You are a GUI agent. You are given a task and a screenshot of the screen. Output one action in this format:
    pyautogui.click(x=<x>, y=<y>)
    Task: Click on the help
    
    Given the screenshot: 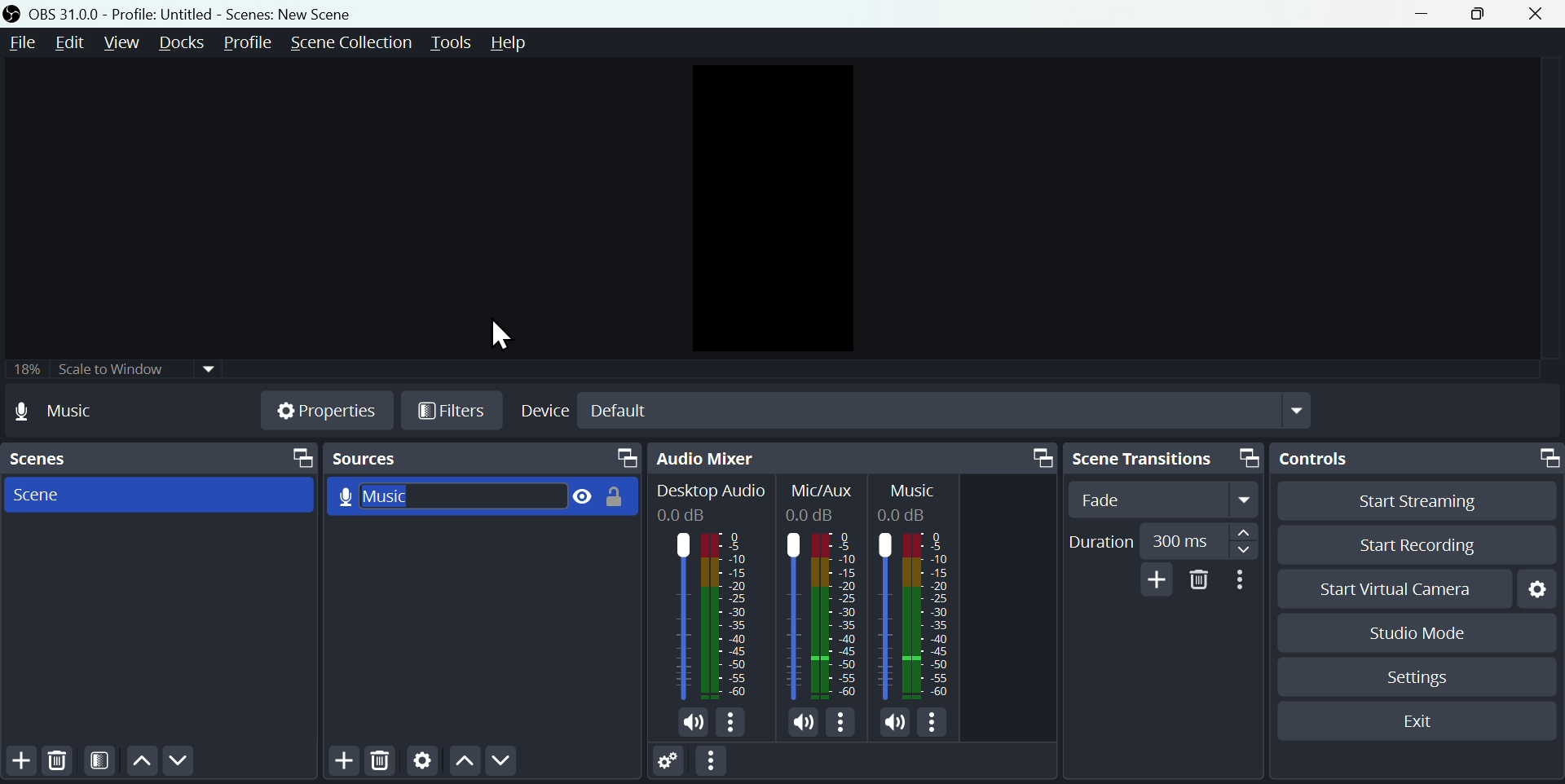 What is the action you would take?
    pyautogui.click(x=529, y=42)
    